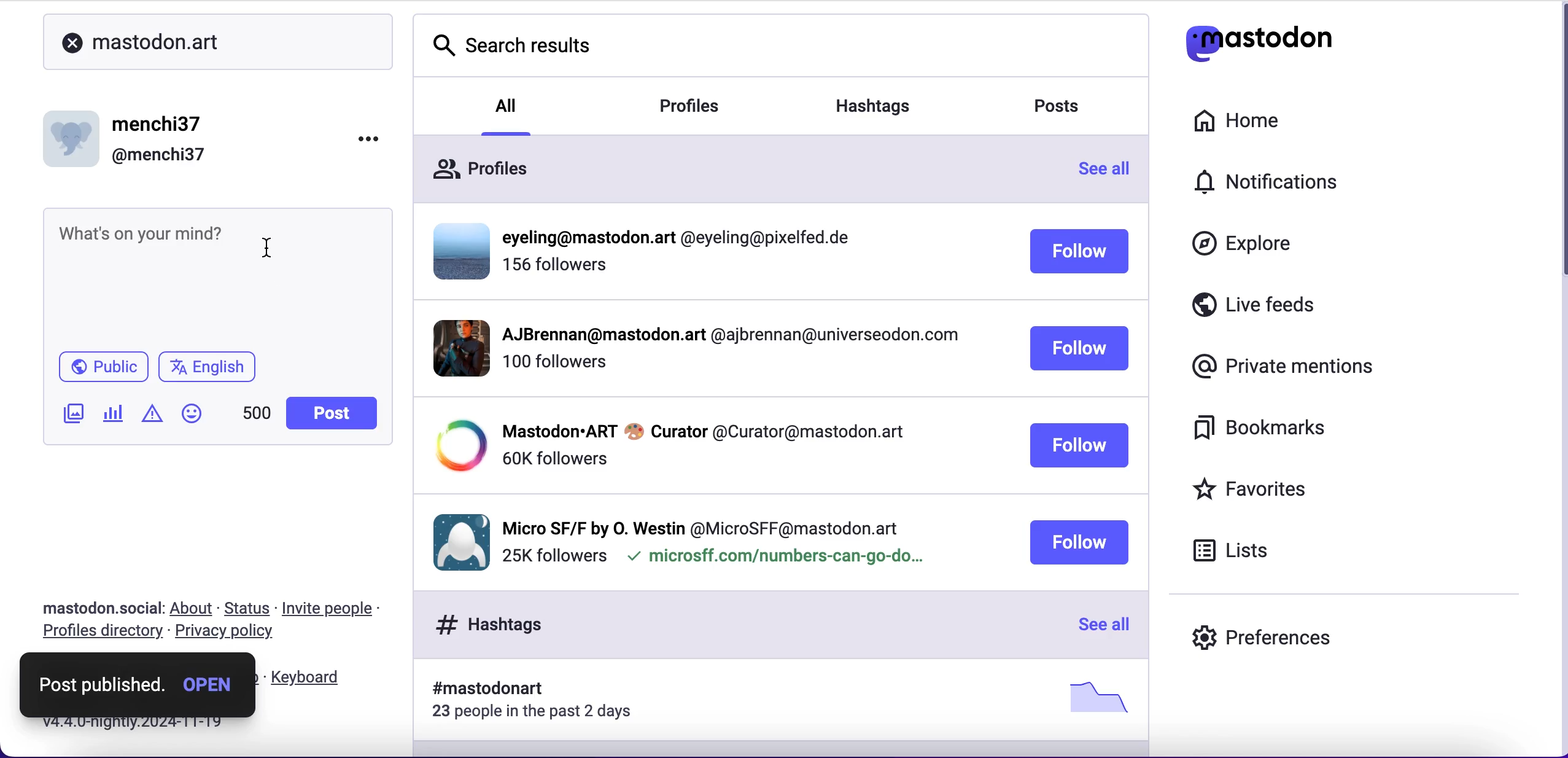  Describe the element at coordinates (1294, 186) in the screenshot. I see `notifications` at that location.